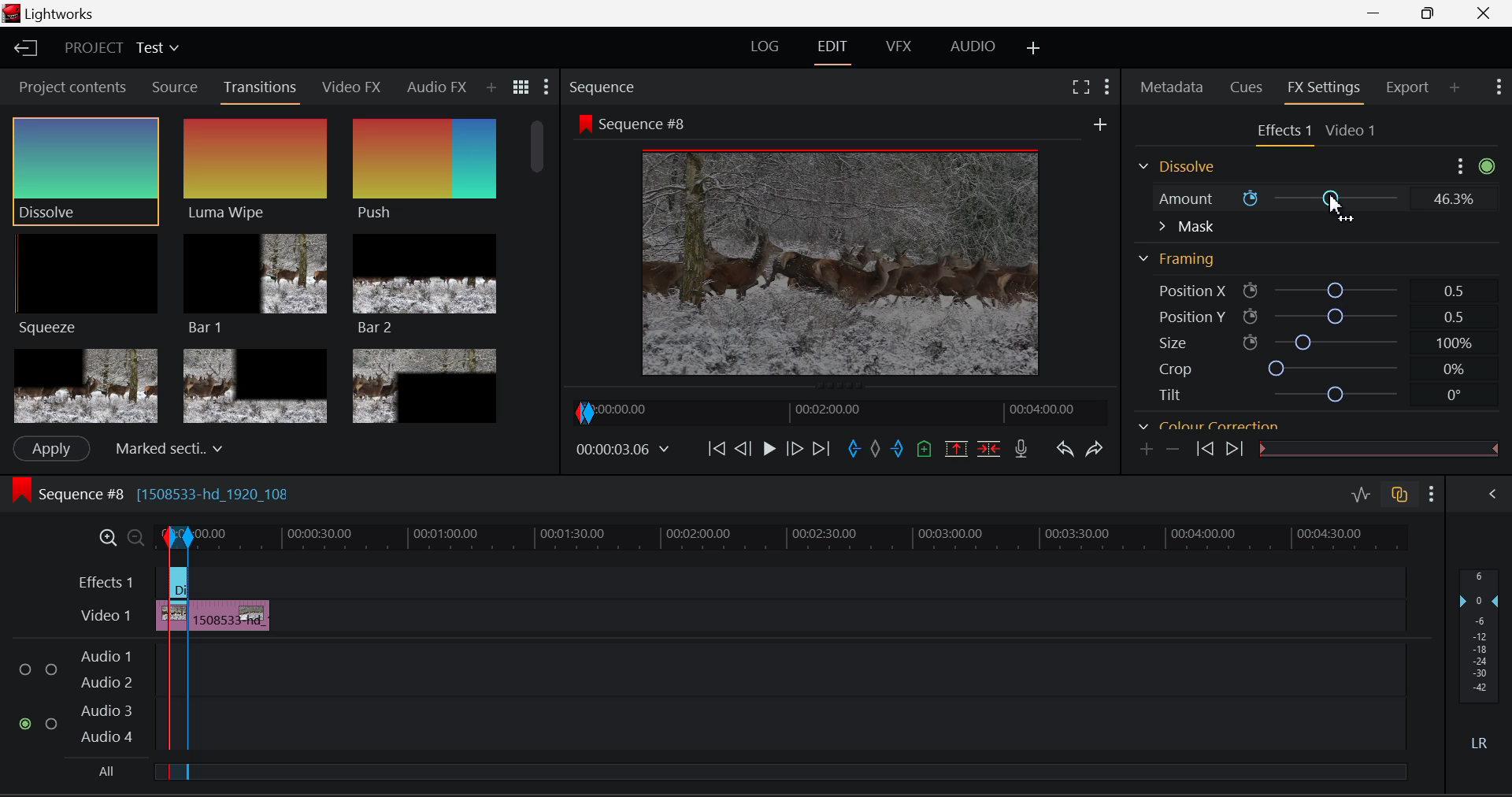 The width and height of the screenshot is (1512, 797). What do you see at coordinates (1178, 260) in the screenshot?
I see `Framing Section` at bounding box center [1178, 260].